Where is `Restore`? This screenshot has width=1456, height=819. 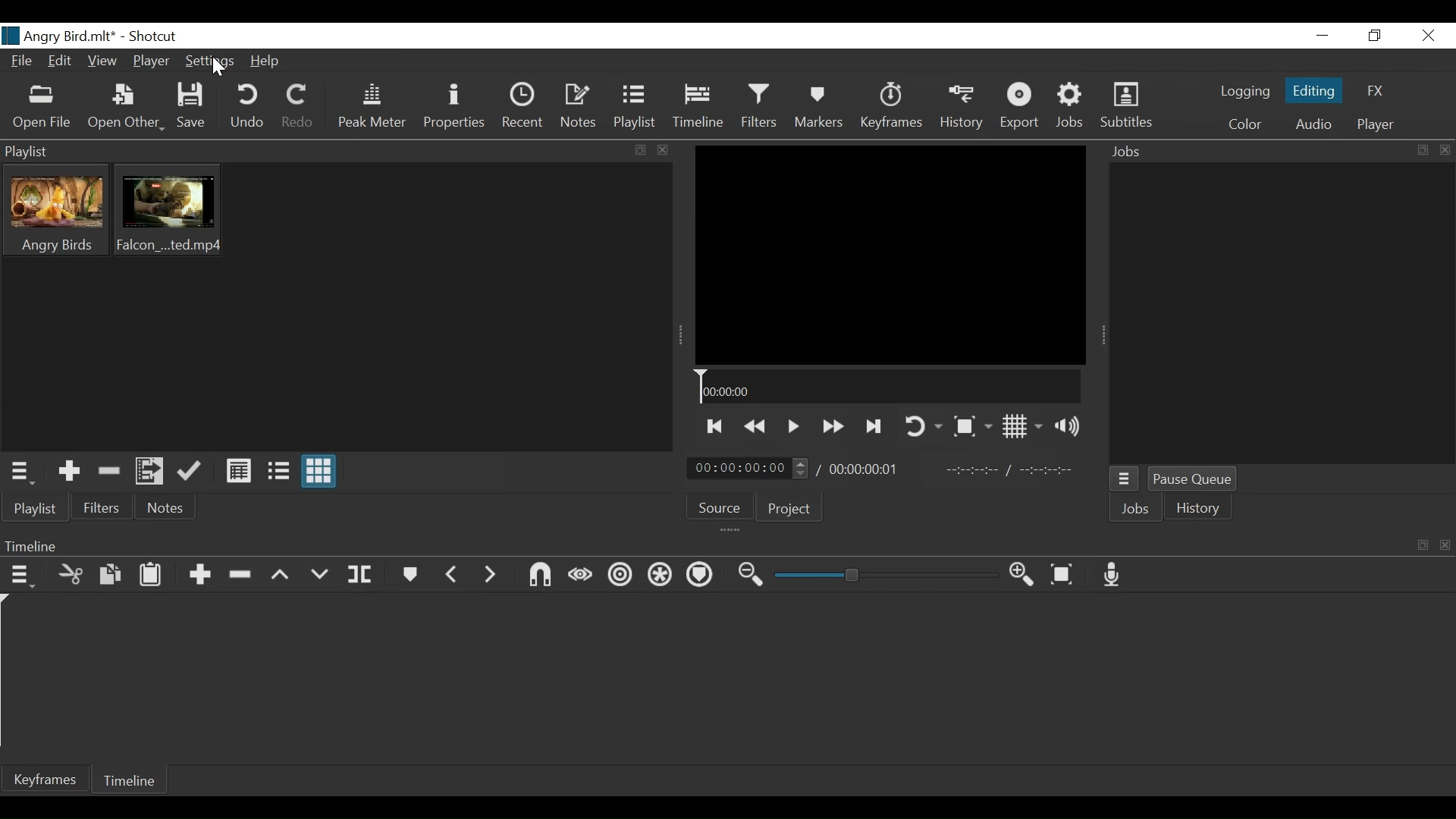 Restore is located at coordinates (1373, 35).